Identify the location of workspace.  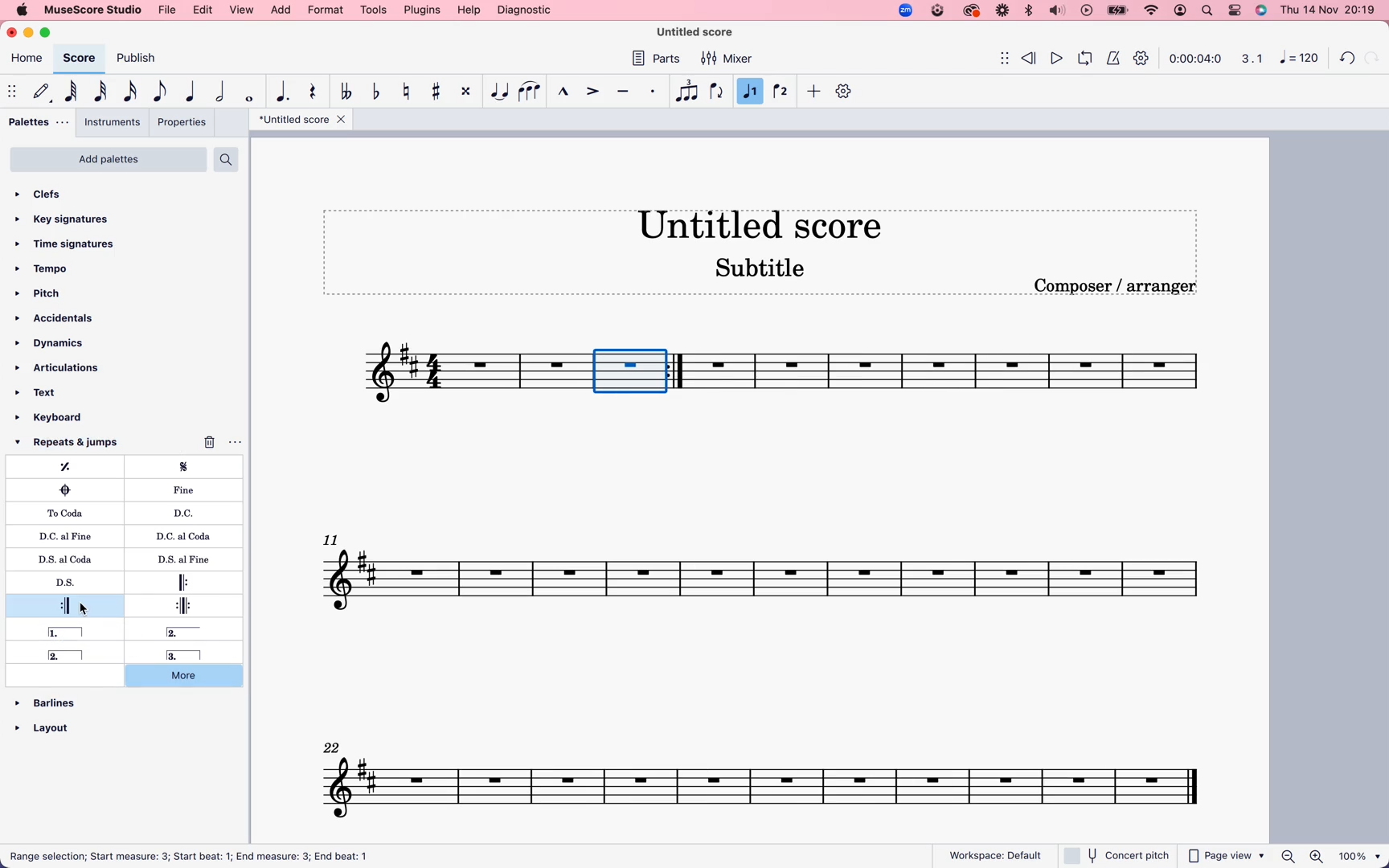
(996, 852).